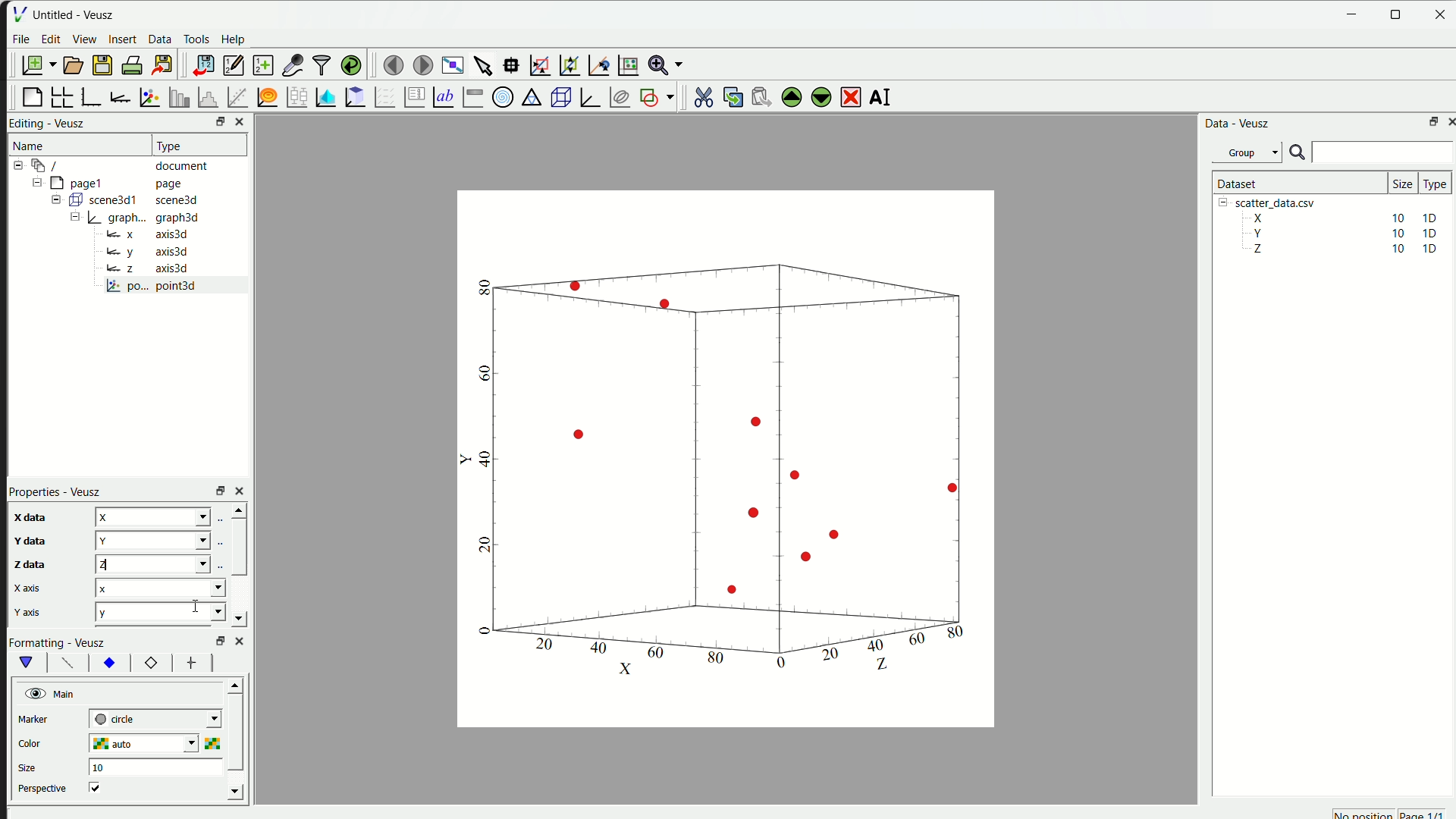 The width and height of the screenshot is (1456, 819). I want to click on maximize, so click(1430, 120).